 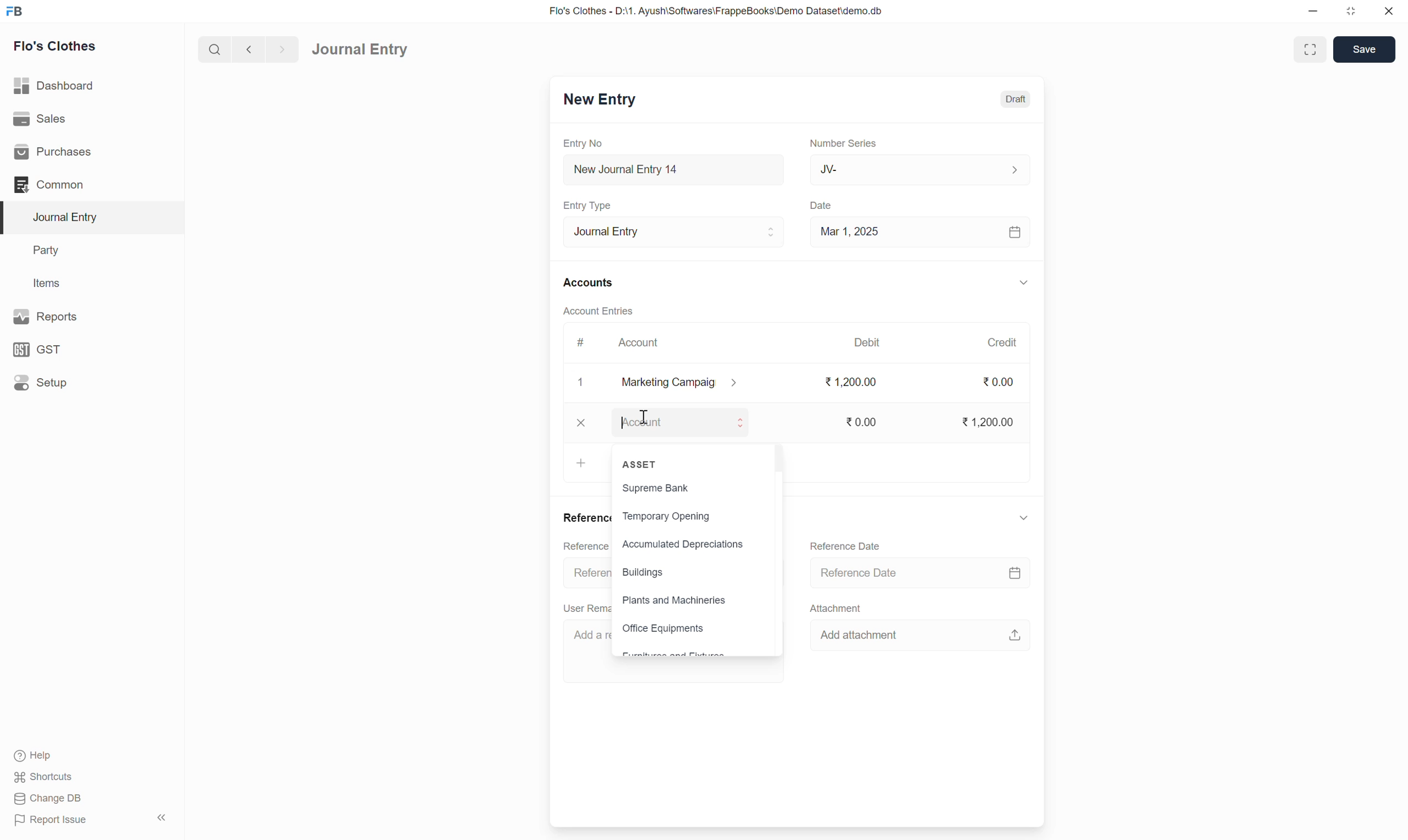 I want to click on New Entry, so click(x=600, y=98).